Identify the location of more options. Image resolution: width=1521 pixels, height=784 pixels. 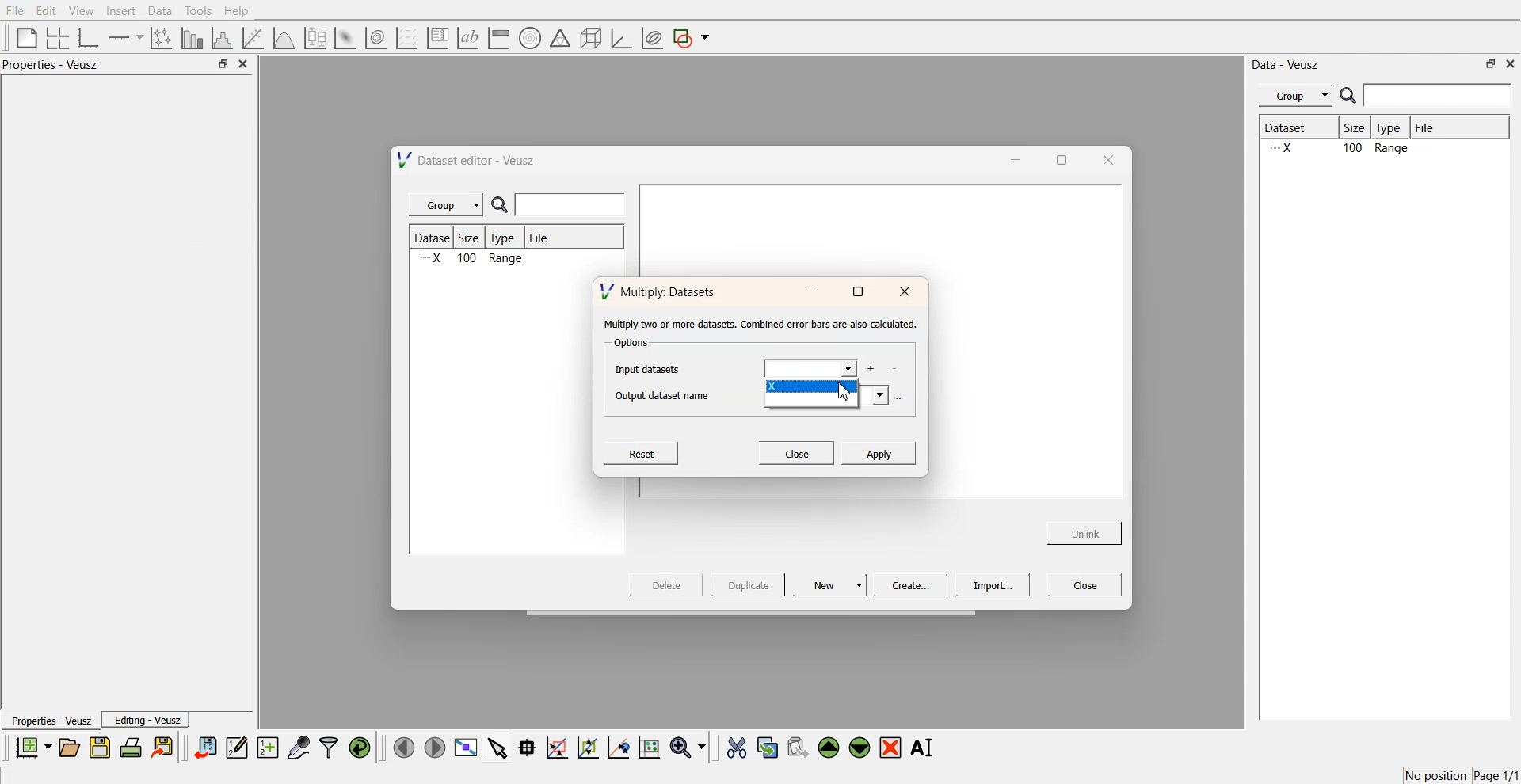
(899, 397).